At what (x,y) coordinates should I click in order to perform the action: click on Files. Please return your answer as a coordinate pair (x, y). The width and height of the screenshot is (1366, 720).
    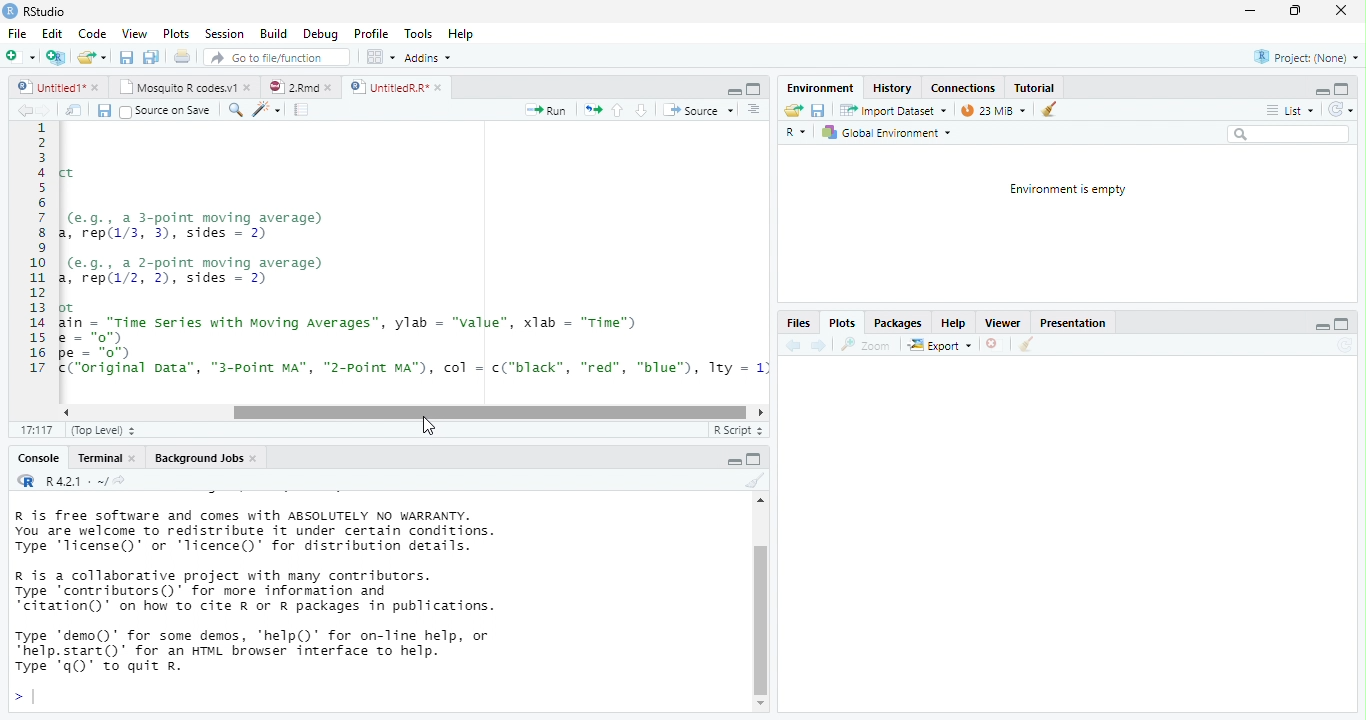
    Looking at the image, I should click on (797, 324).